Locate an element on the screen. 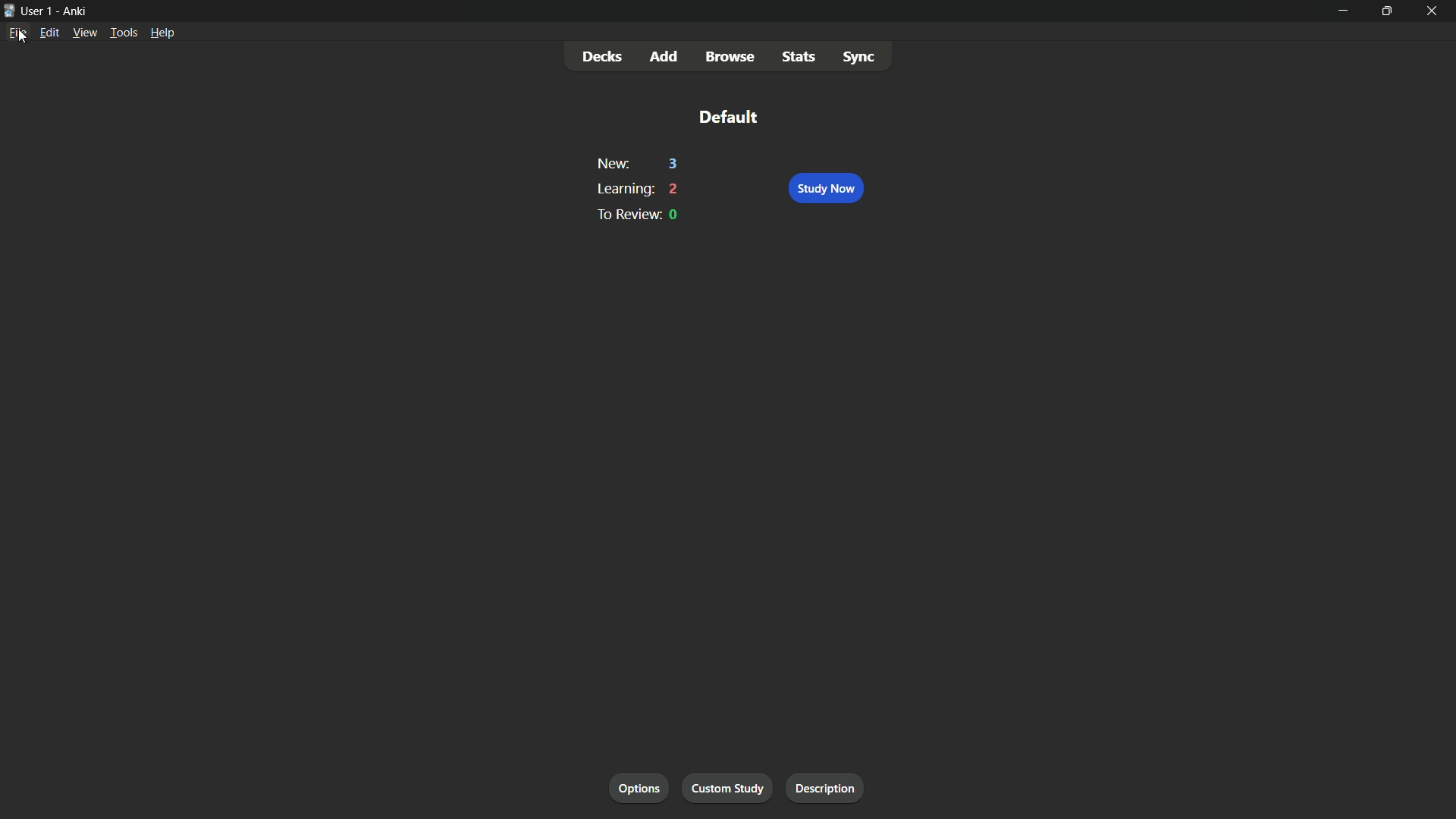 Image resolution: width=1456 pixels, height=819 pixels. to review is located at coordinates (625, 214).